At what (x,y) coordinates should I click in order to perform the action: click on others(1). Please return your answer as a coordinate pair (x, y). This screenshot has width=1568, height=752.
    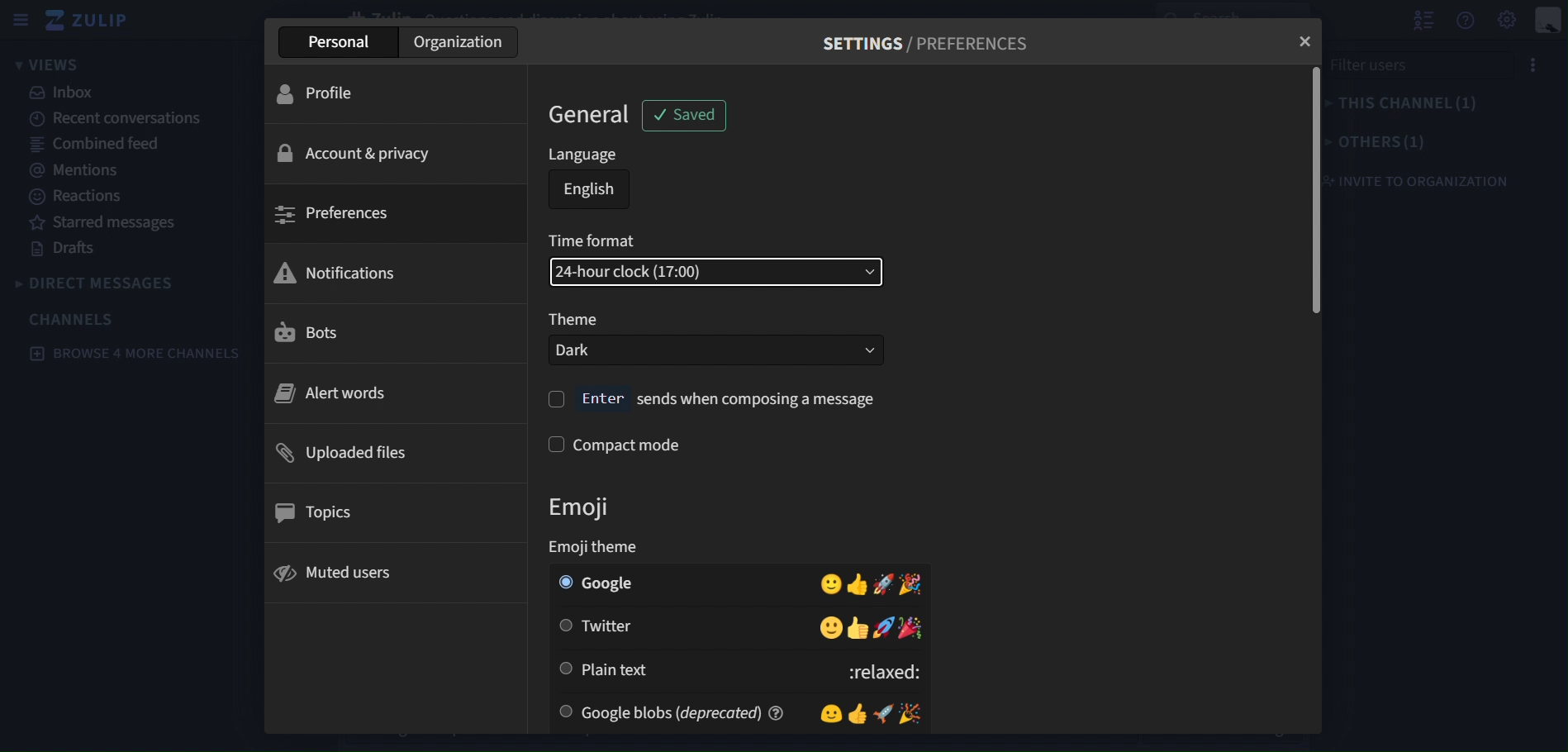
    Looking at the image, I should click on (1379, 143).